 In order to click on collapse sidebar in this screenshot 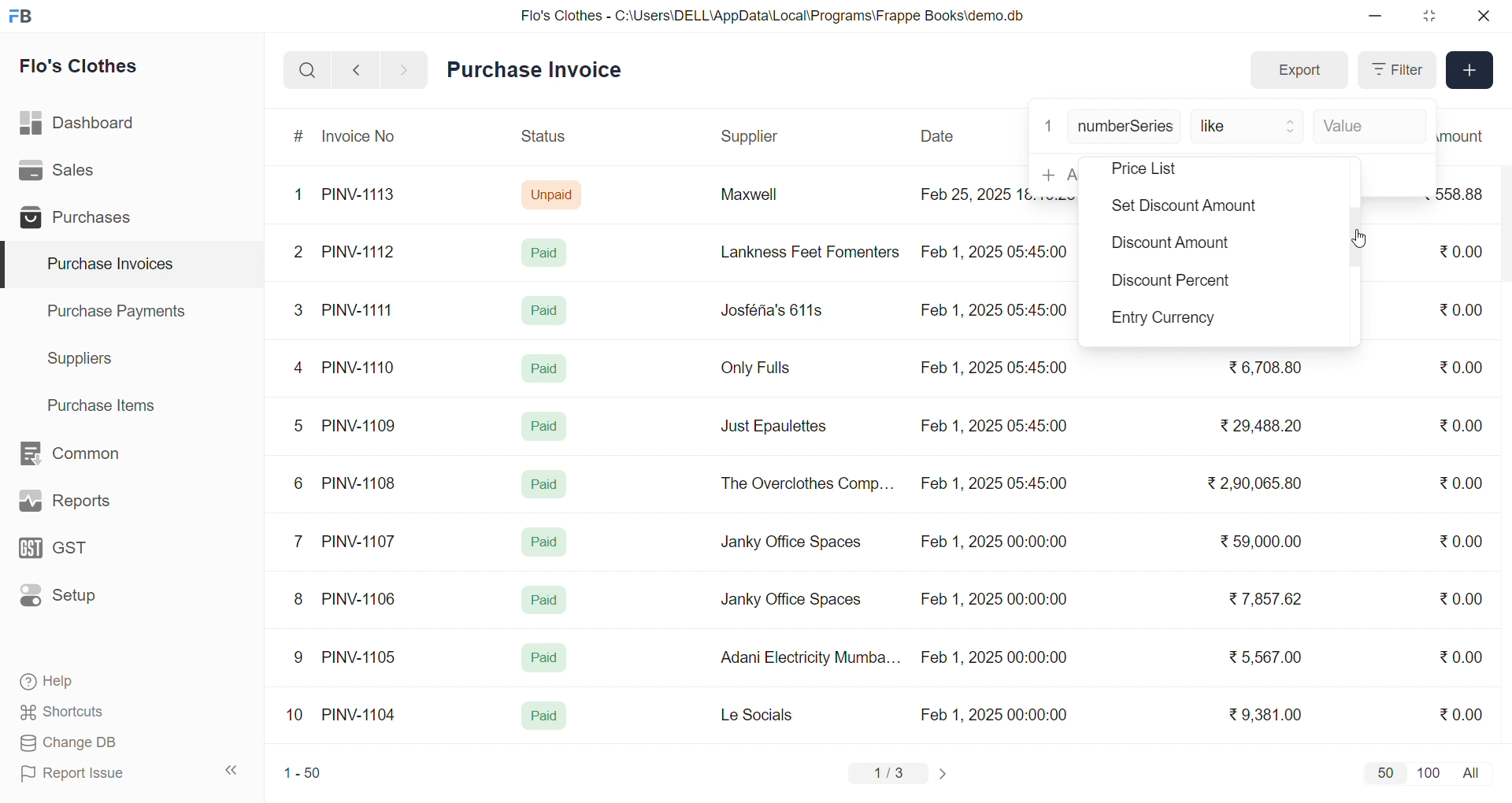, I will do `click(232, 771)`.